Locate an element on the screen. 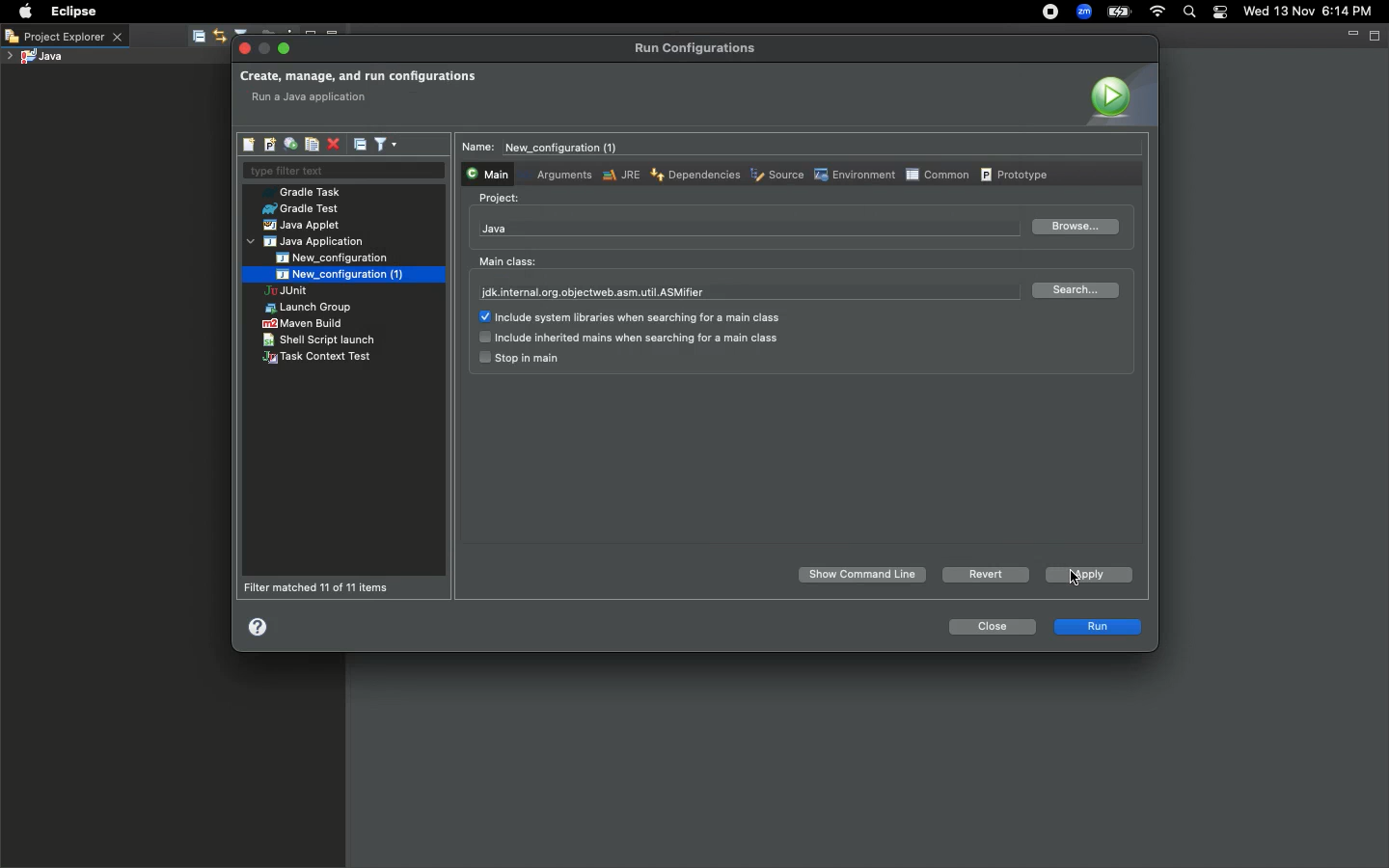 The height and width of the screenshot is (868, 1389). Maximize is located at coordinates (286, 48).